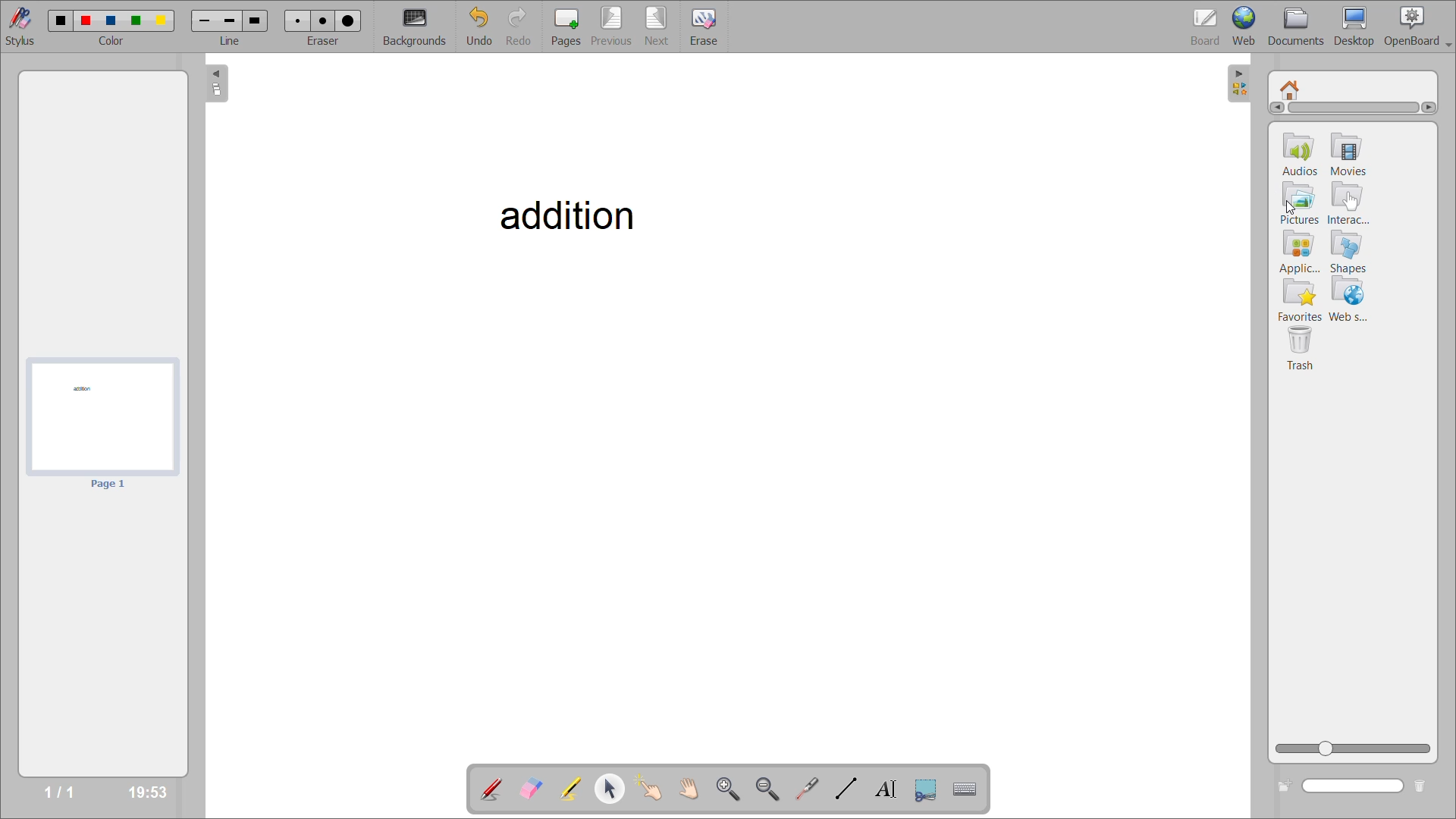 This screenshot has height=819, width=1456. Describe the element at coordinates (1349, 153) in the screenshot. I see `movies` at that location.